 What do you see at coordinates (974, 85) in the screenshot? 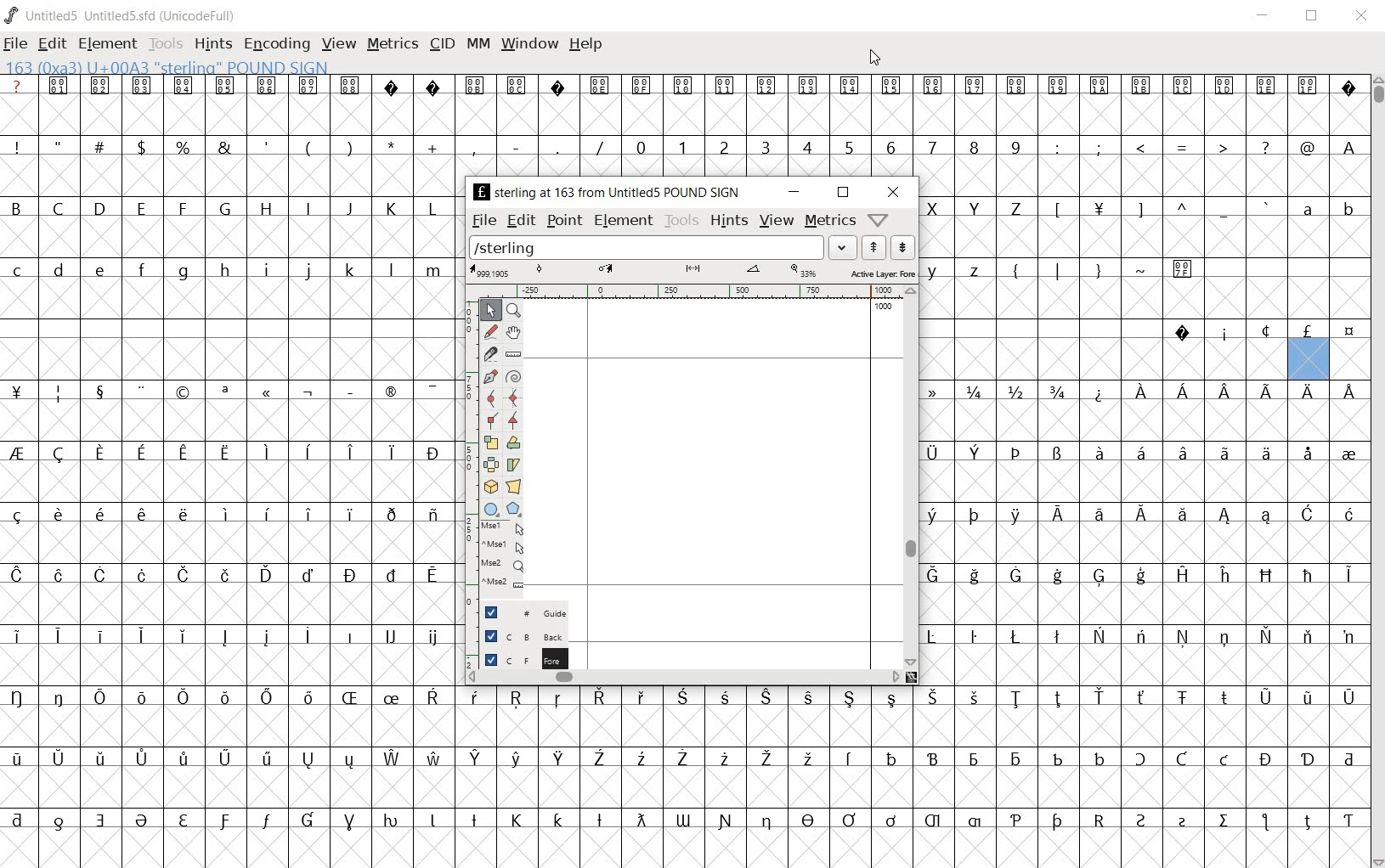
I see `Symbol` at bounding box center [974, 85].